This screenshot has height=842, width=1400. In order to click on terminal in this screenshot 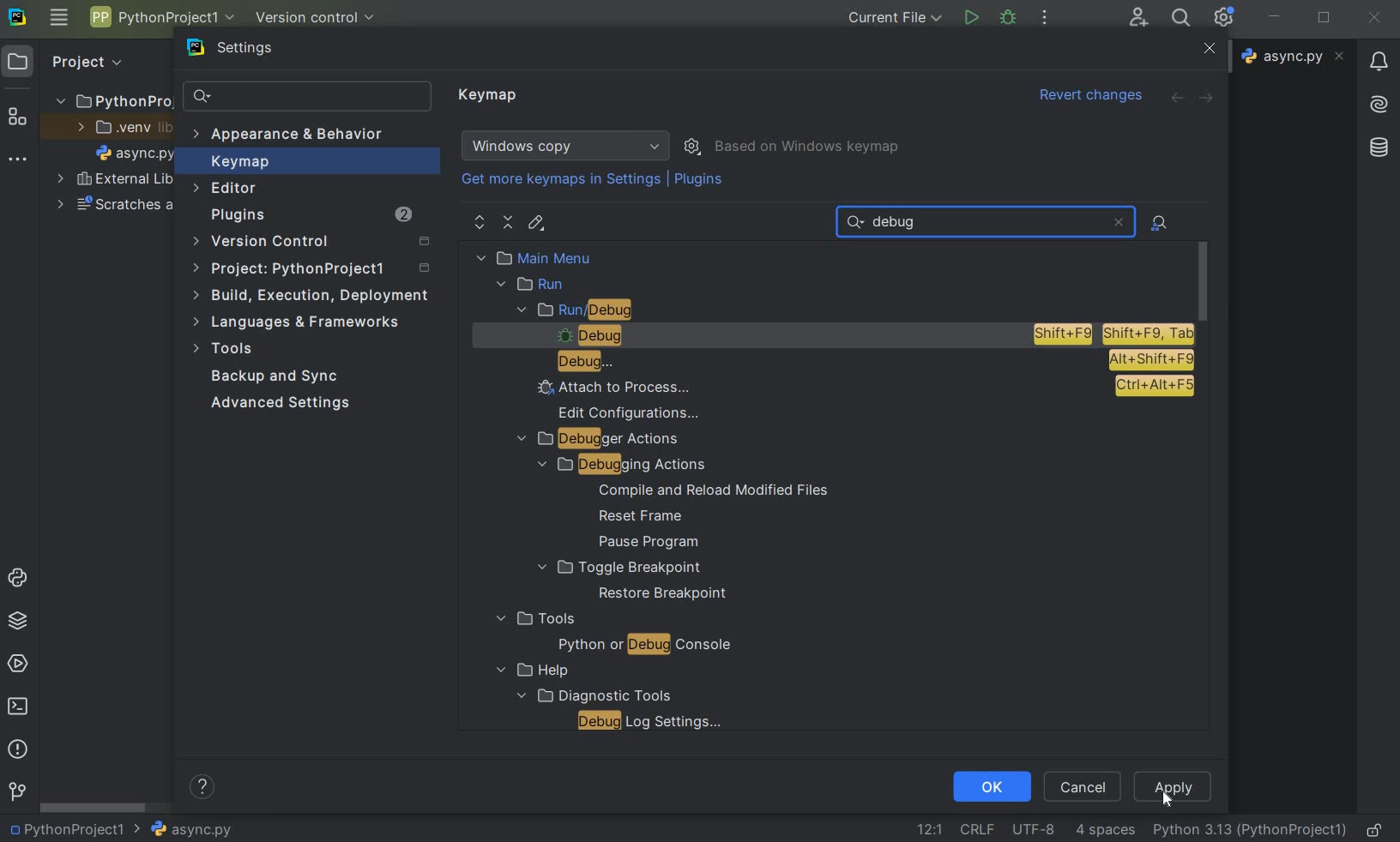, I will do `click(20, 706)`.